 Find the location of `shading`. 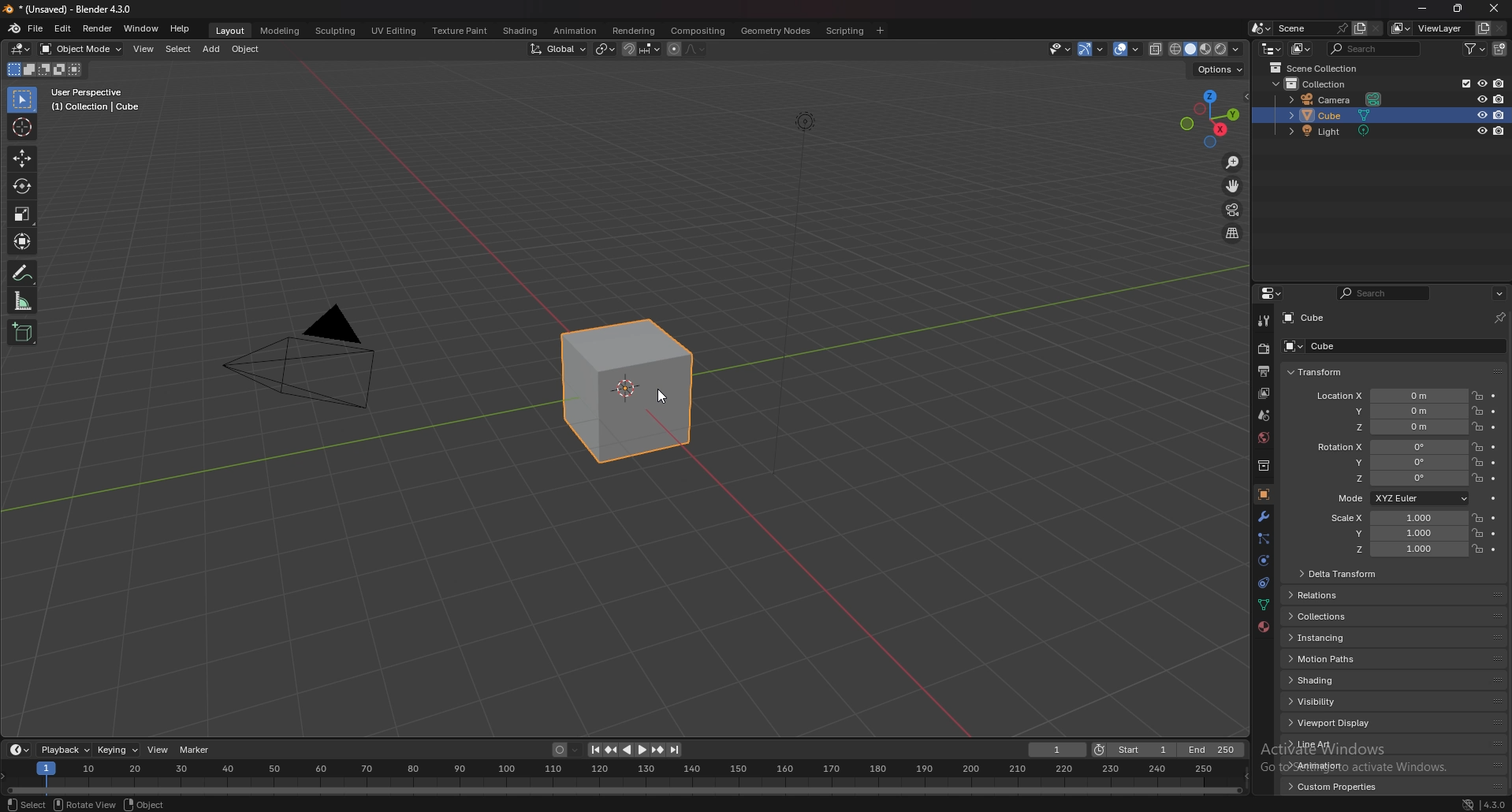

shading is located at coordinates (1347, 679).